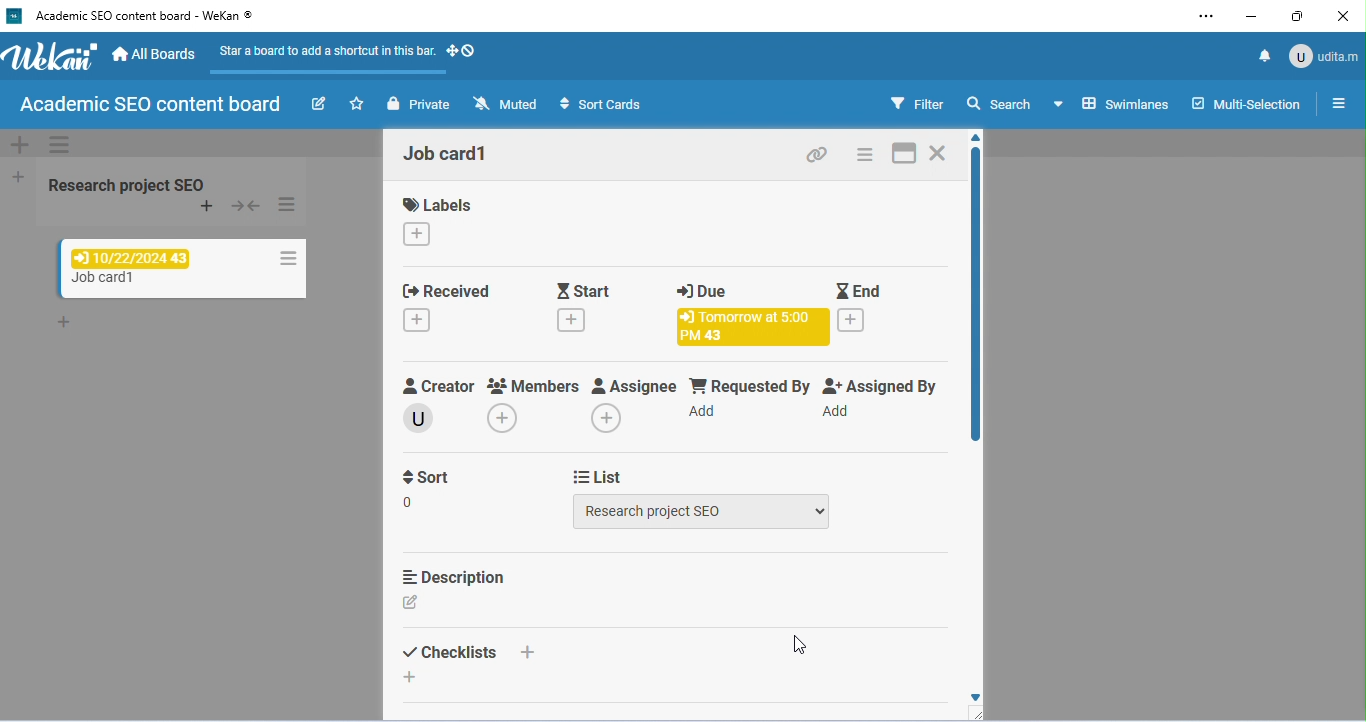  I want to click on due date added: 10/22/2024 43, so click(131, 258).